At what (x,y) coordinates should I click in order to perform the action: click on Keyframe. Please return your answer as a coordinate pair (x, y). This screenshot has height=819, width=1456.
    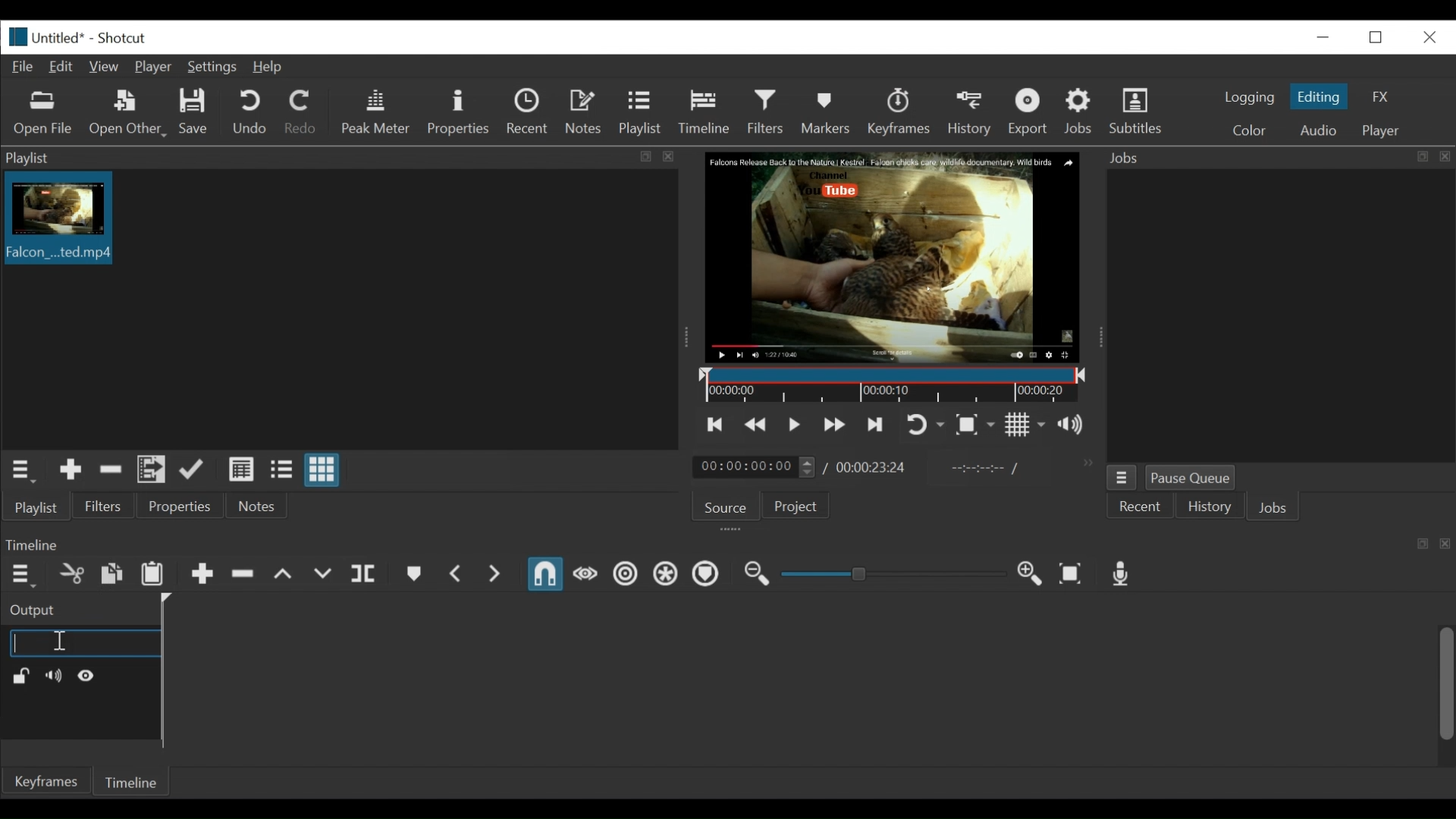
    Looking at the image, I should click on (899, 113).